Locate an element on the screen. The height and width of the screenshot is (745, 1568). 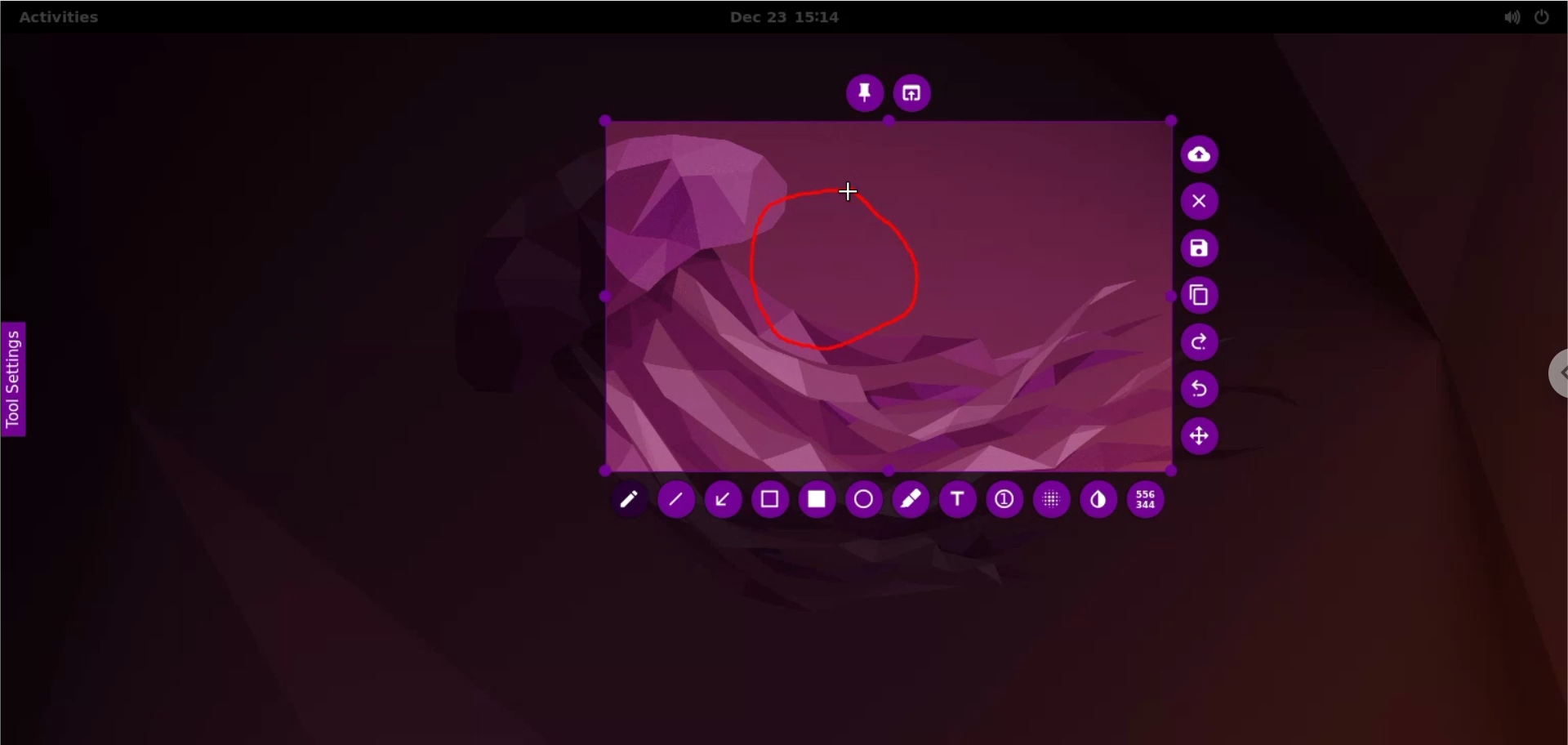
freehand shape is located at coordinates (837, 278).